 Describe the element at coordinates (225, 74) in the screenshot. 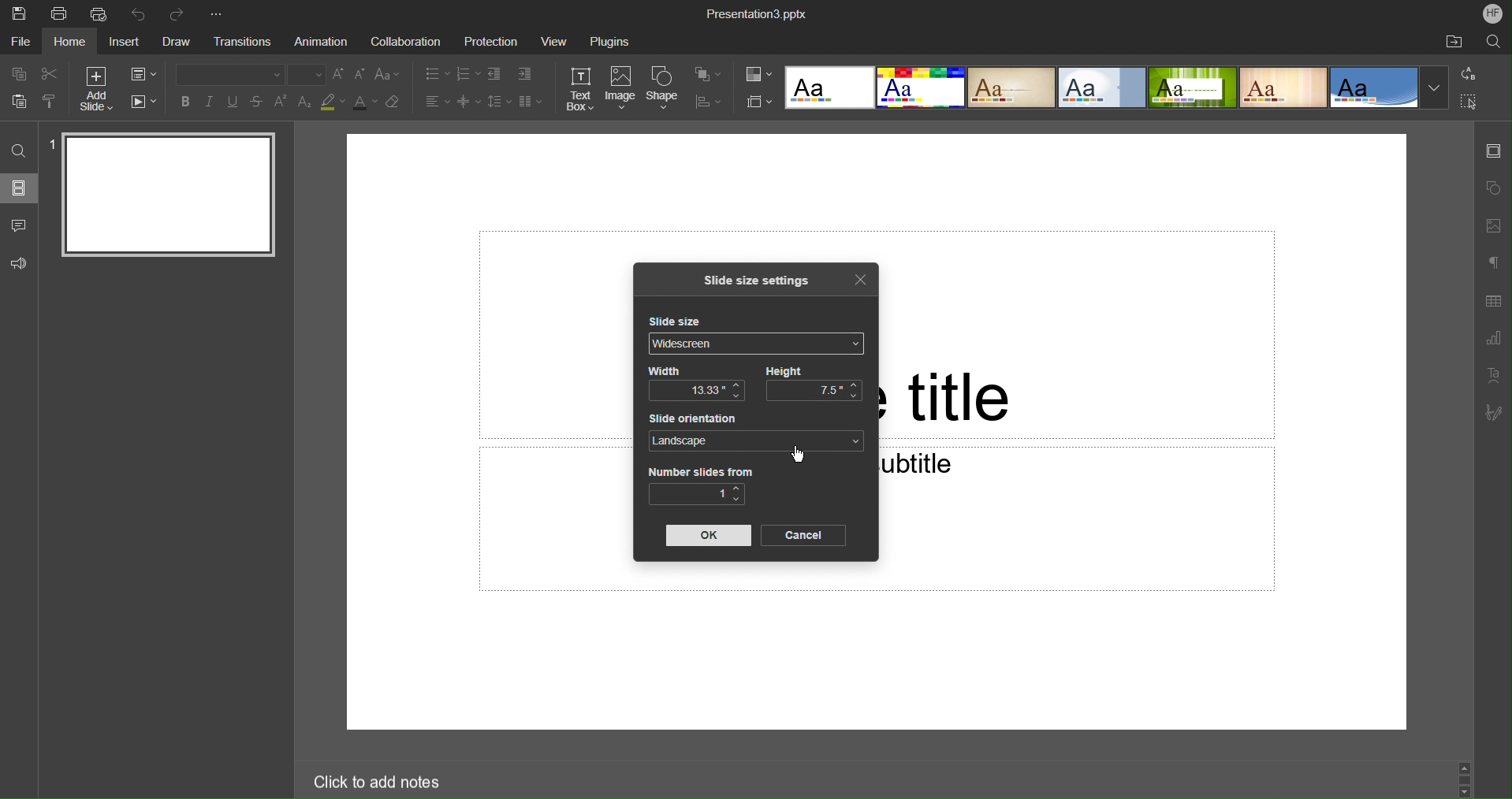

I see `Font Type` at that location.